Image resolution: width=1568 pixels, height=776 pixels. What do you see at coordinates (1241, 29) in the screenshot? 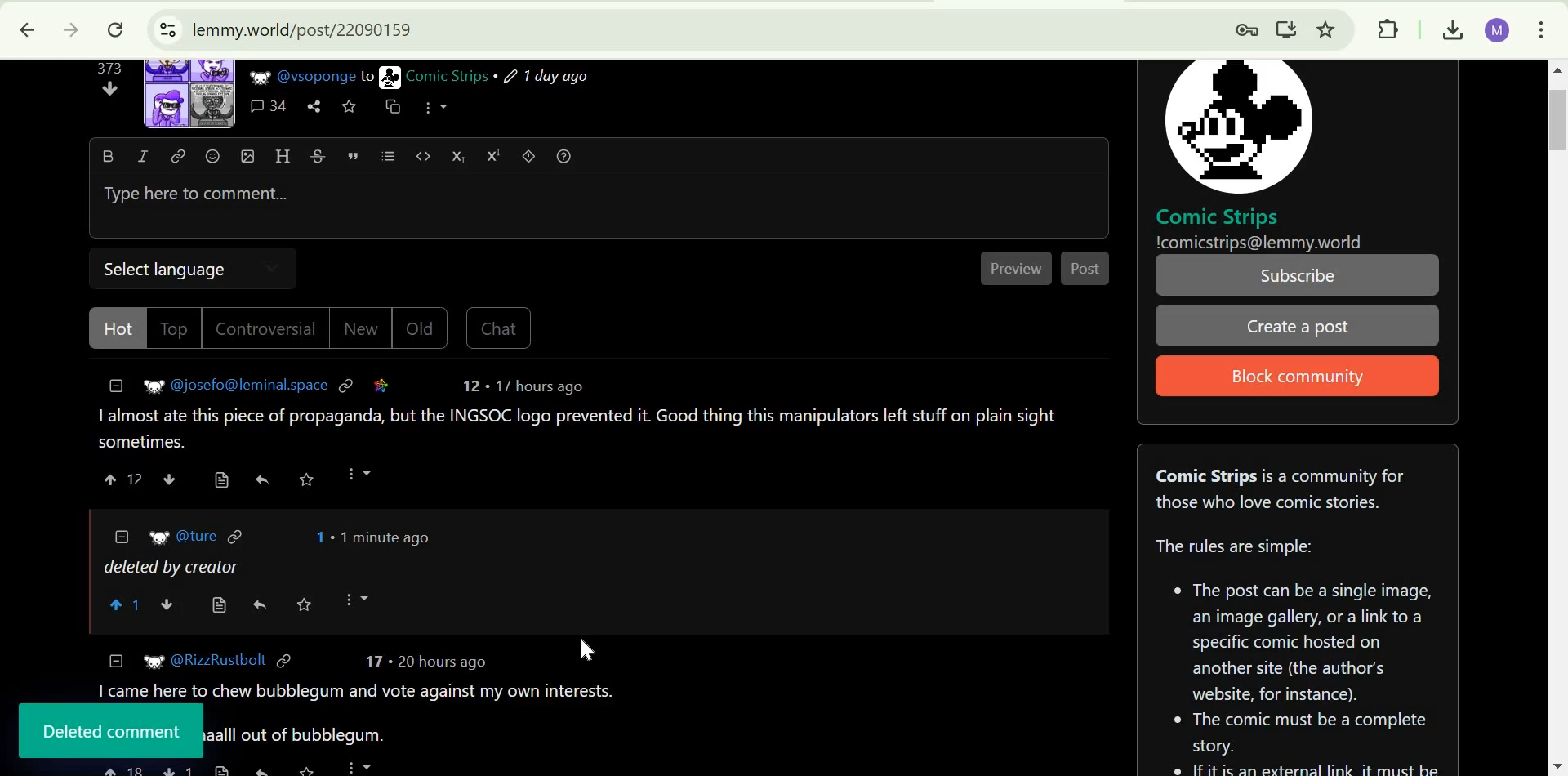
I see `manage passwords` at bounding box center [1241, 29].